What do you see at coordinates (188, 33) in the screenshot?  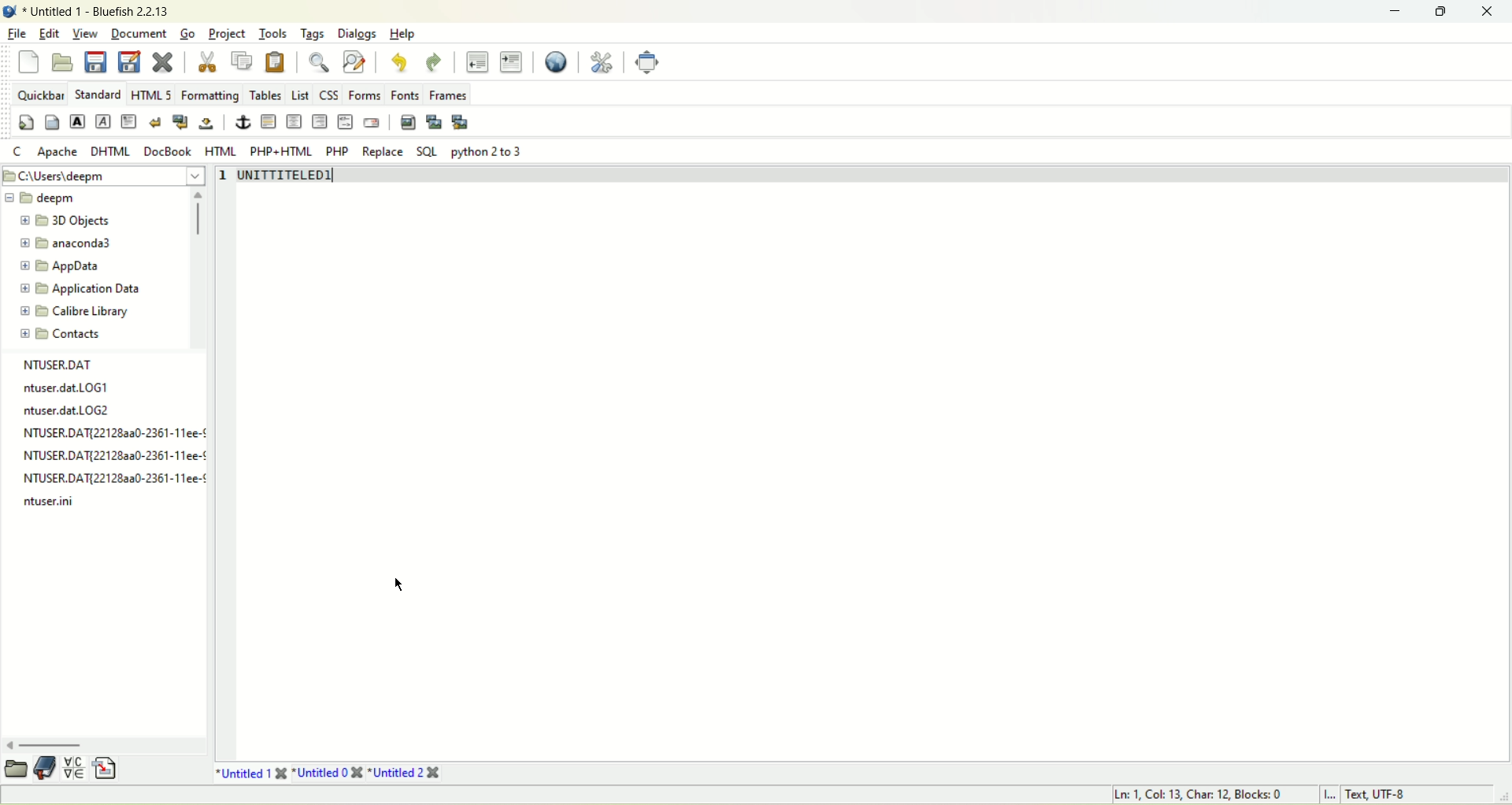 I see `go` at bounding box center [188, 33].